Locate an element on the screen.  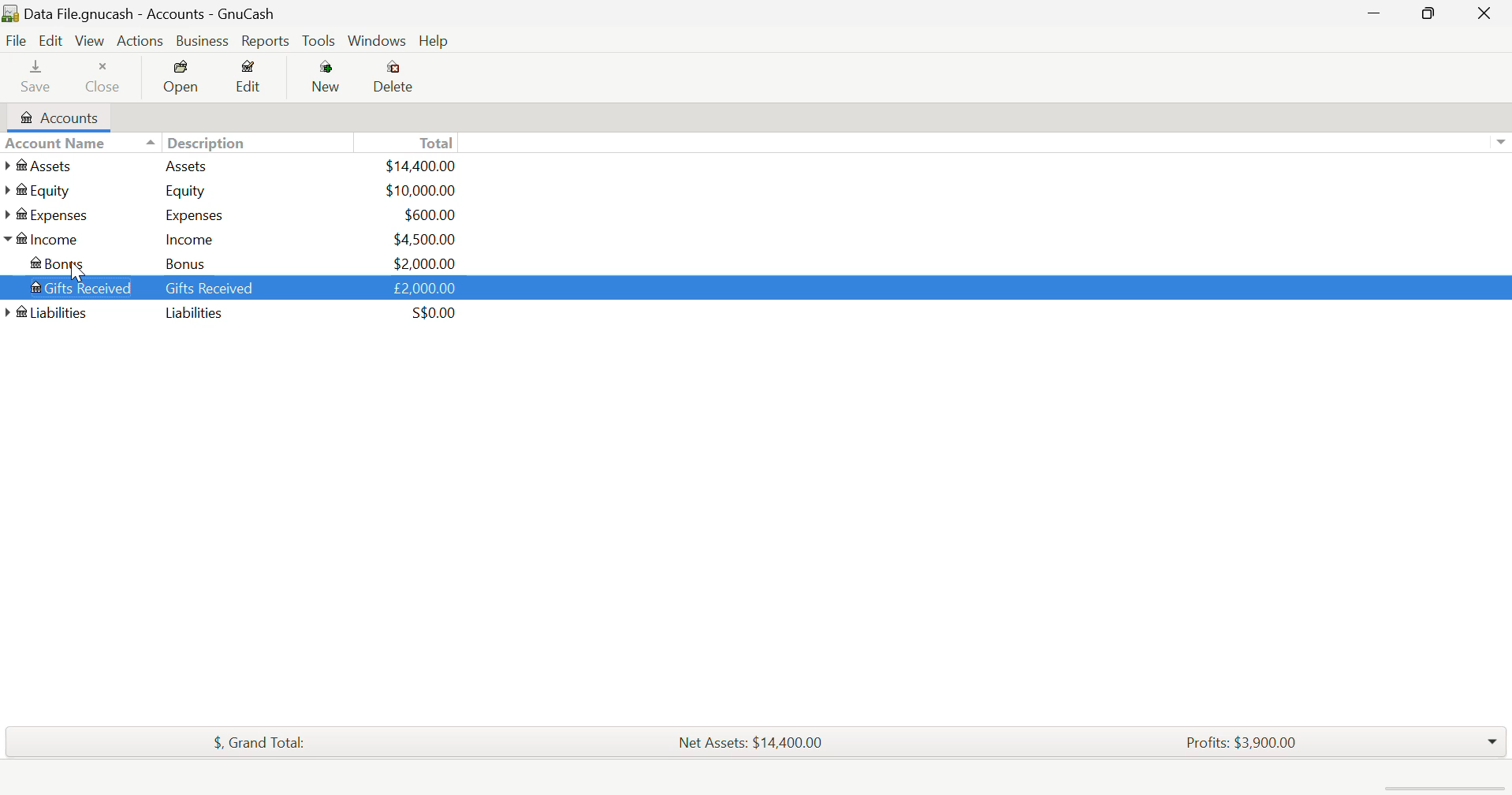
Close Window is located at coordinates (1488, 12).